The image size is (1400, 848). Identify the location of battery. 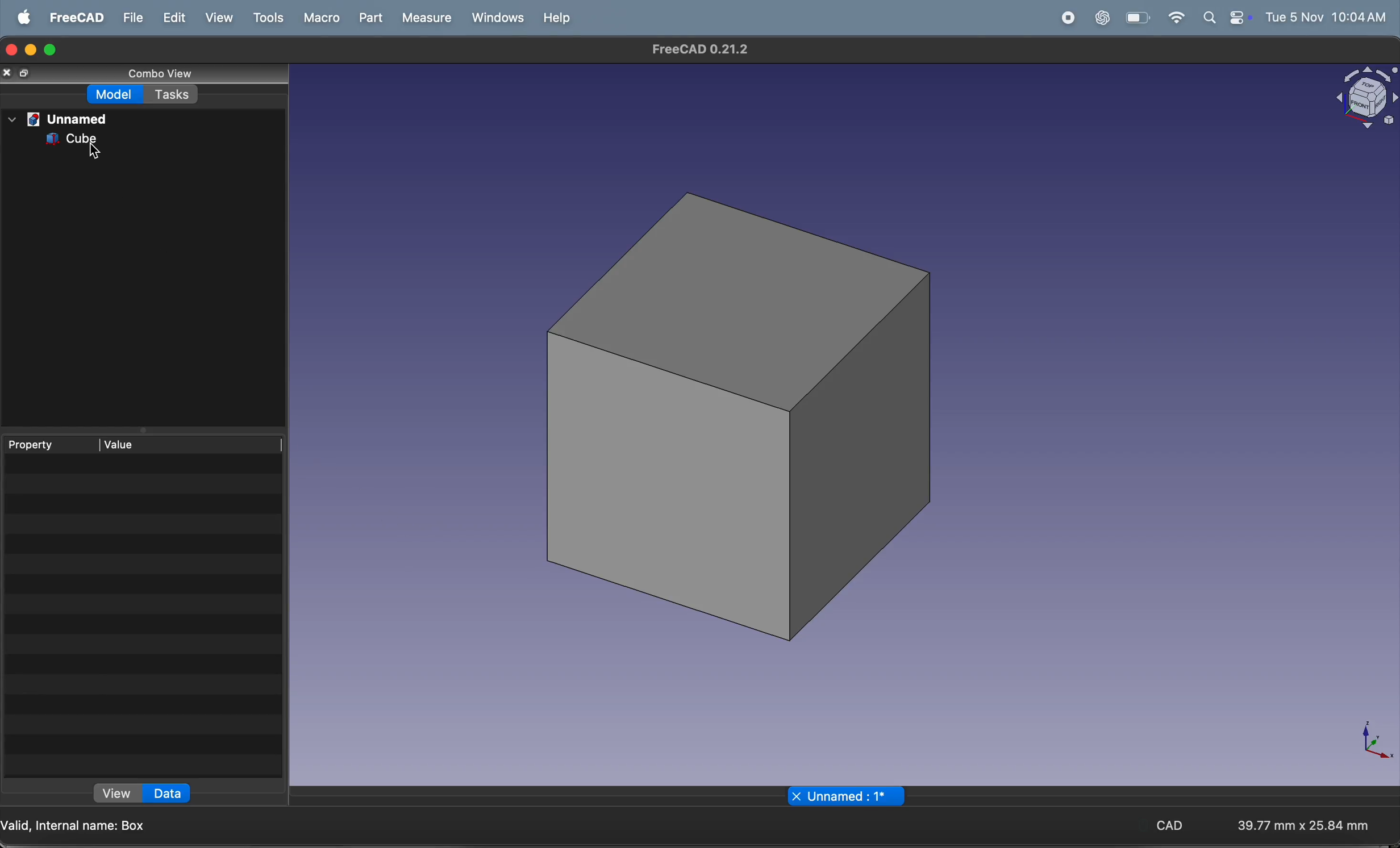
(1241, 16).